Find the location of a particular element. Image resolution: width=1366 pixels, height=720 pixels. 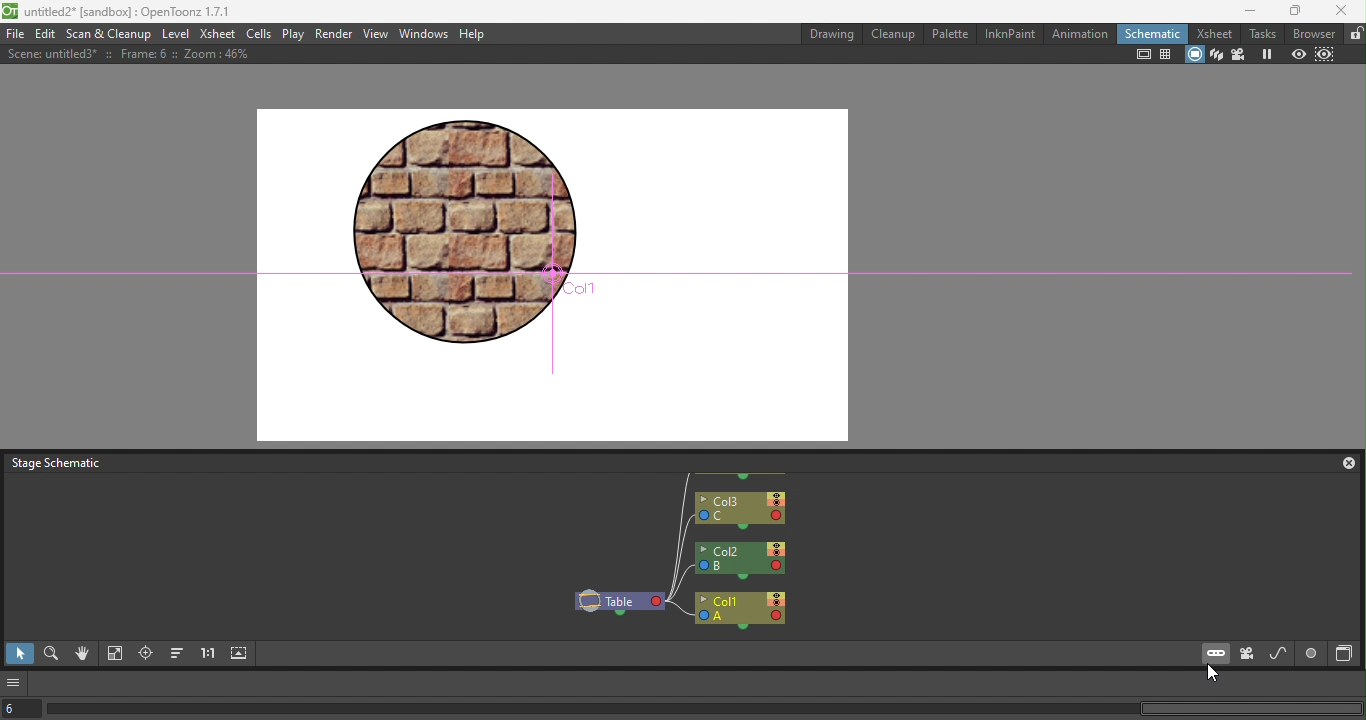

Maximize nodes is located at coordinates (240, 655).